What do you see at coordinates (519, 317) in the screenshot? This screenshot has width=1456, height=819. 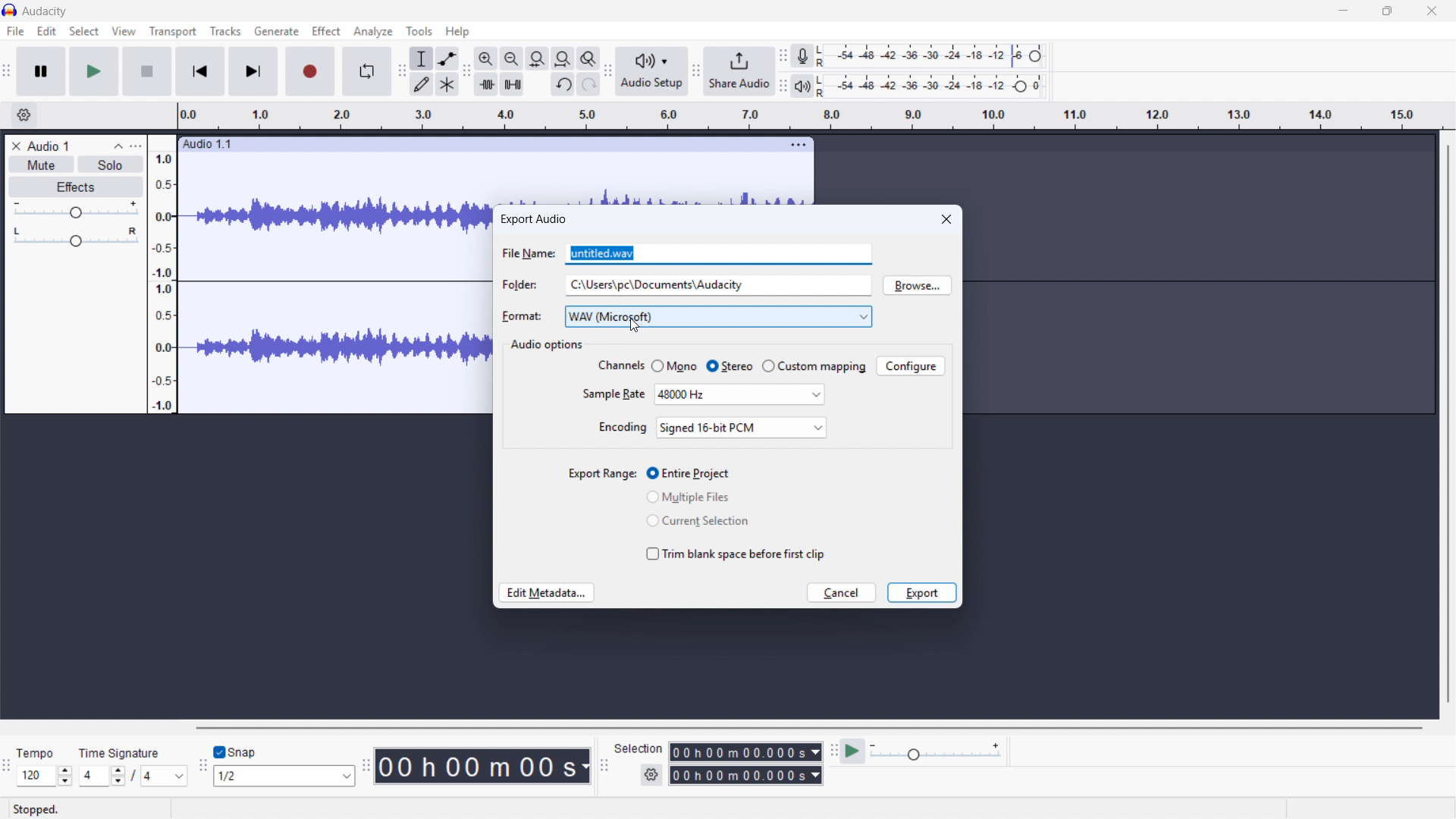 I see `format` at bounding box center [519, 317].